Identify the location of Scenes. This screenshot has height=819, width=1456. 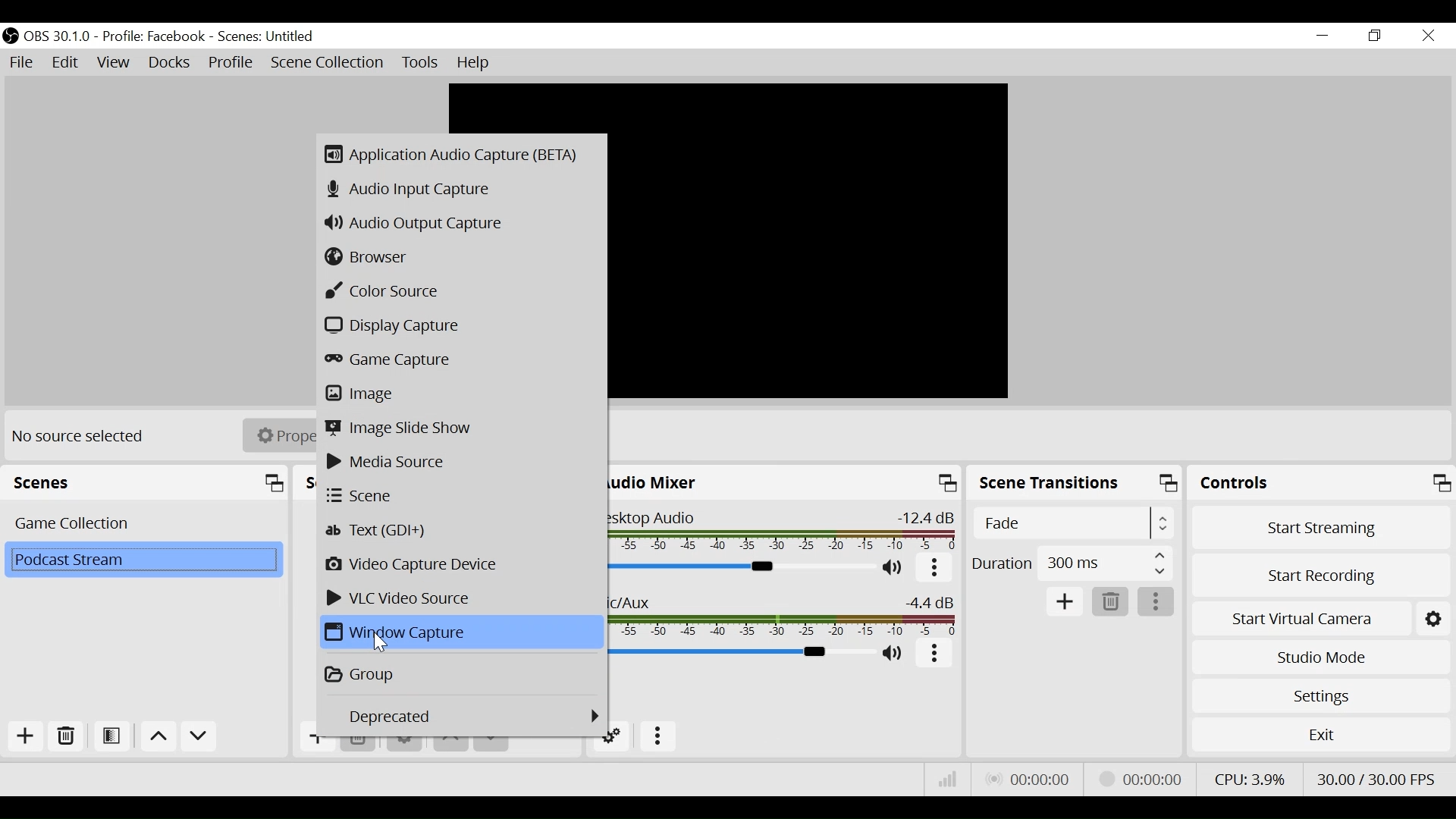
(146, 482).